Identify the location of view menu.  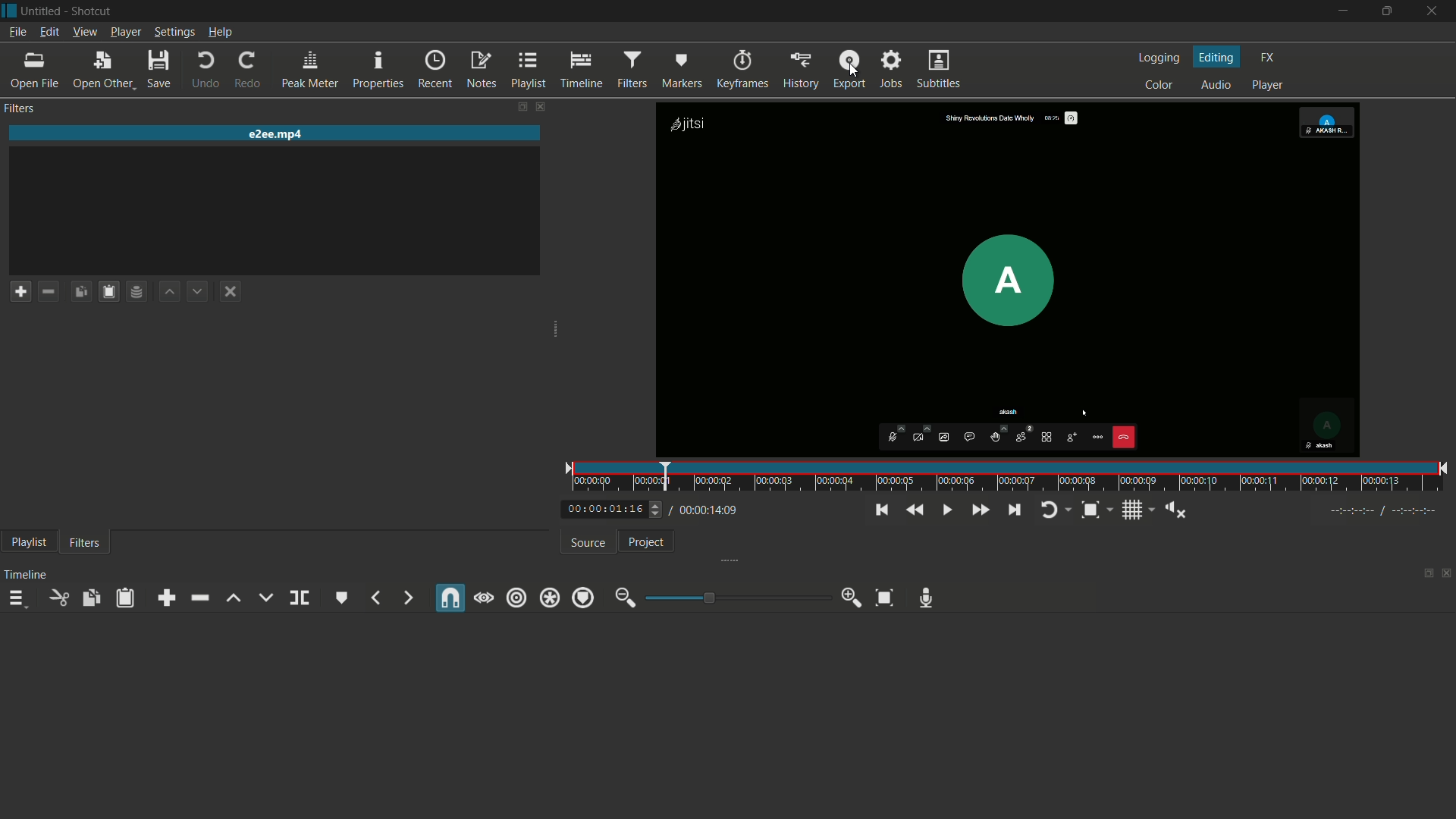
(83, 30).